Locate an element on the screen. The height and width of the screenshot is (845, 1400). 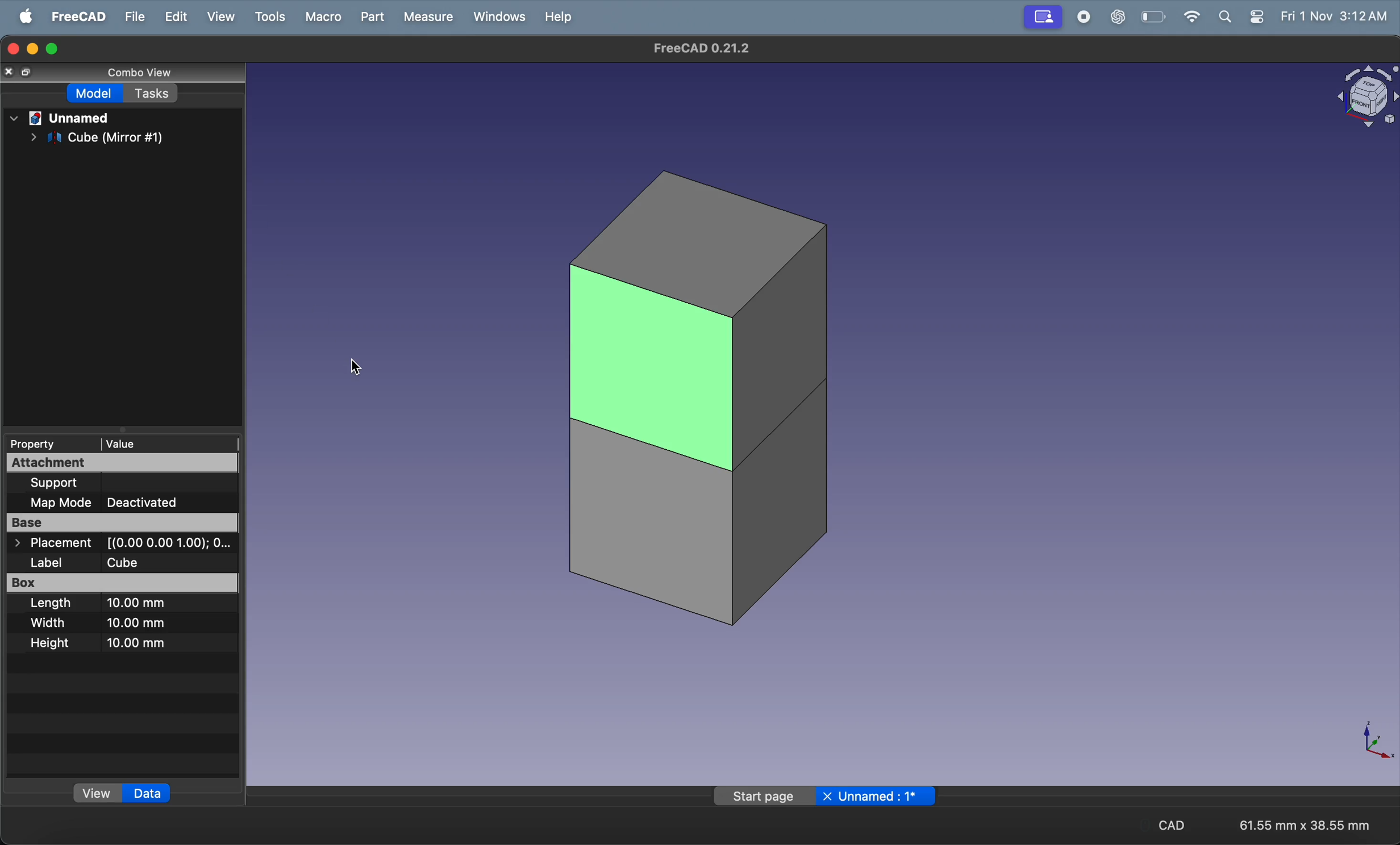
Property is located at coordinates (43, 445).